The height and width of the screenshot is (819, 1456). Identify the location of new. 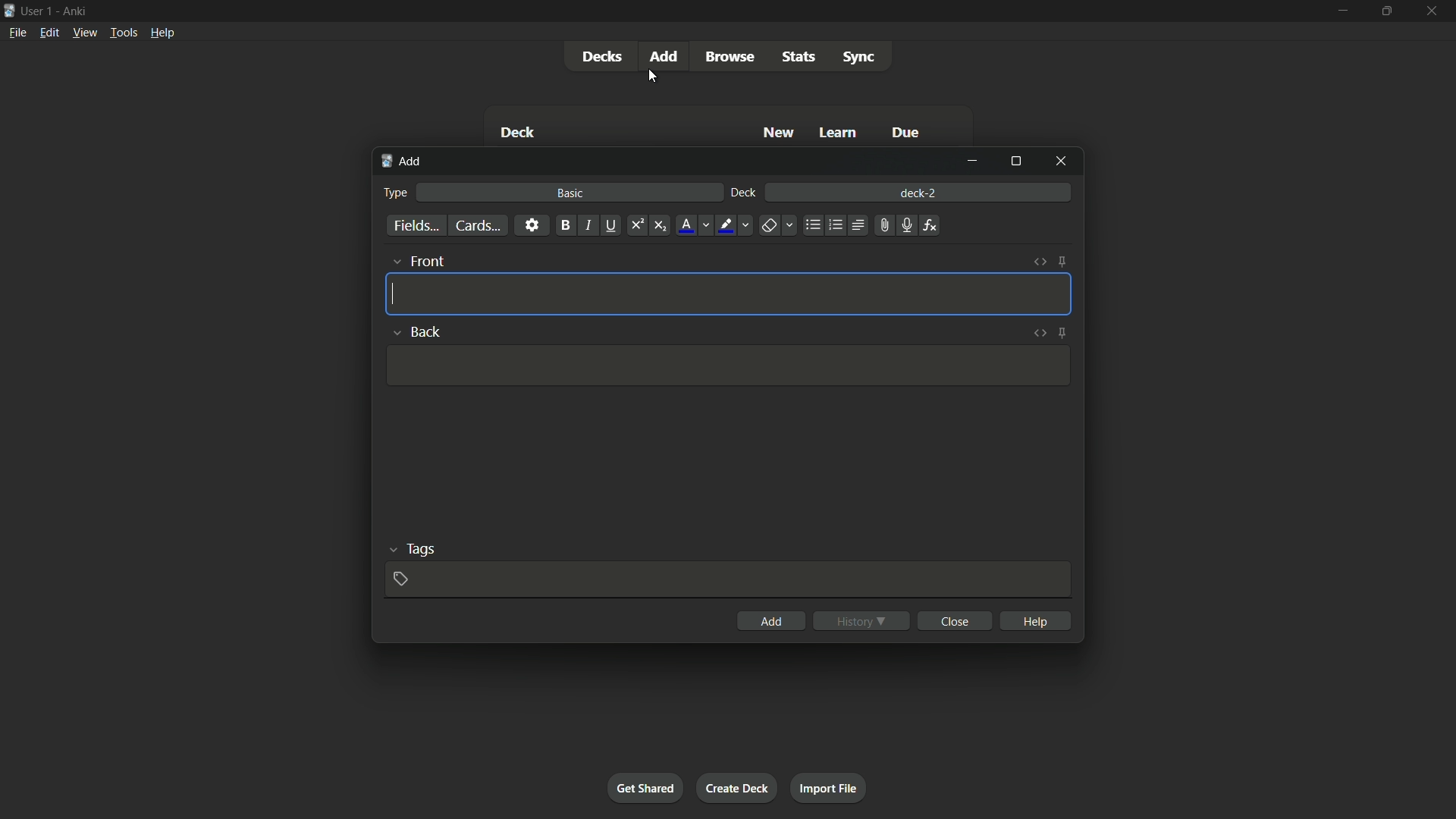
(779, 133).